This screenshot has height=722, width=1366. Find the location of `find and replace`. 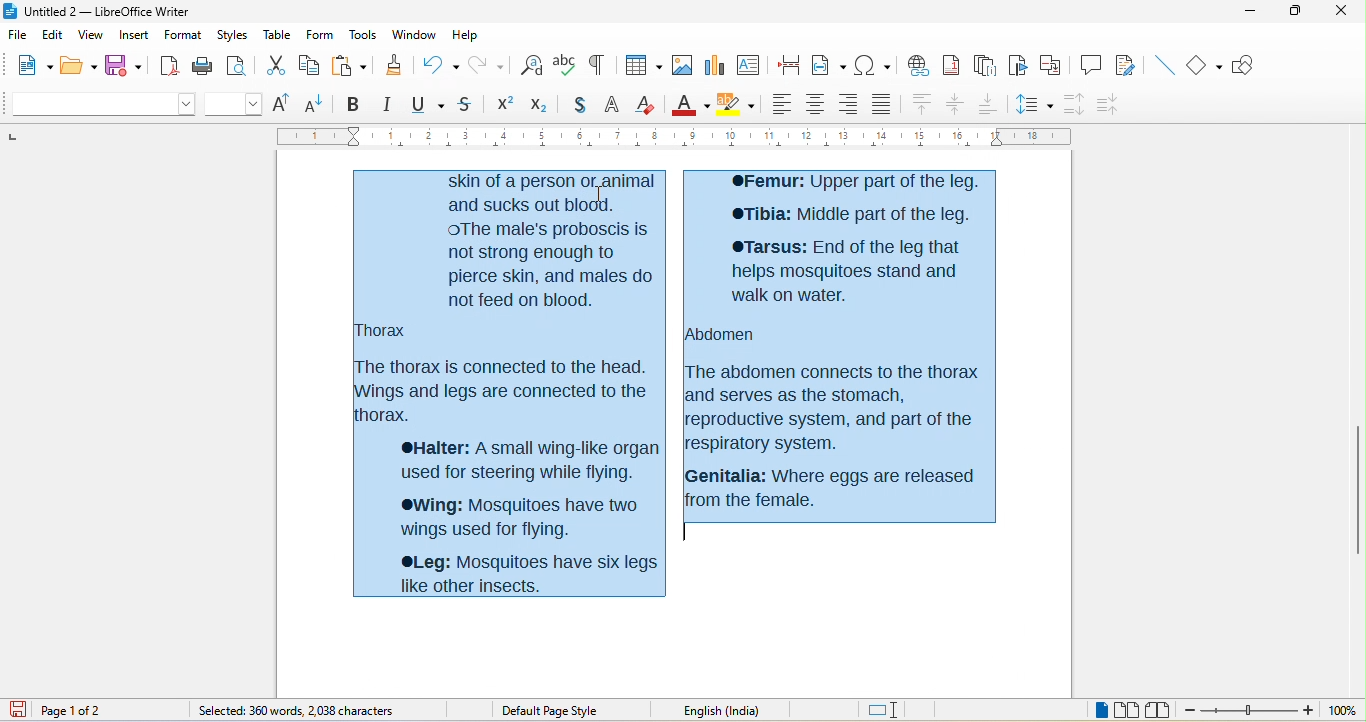

find and replace is located at coordinates (531, 67).